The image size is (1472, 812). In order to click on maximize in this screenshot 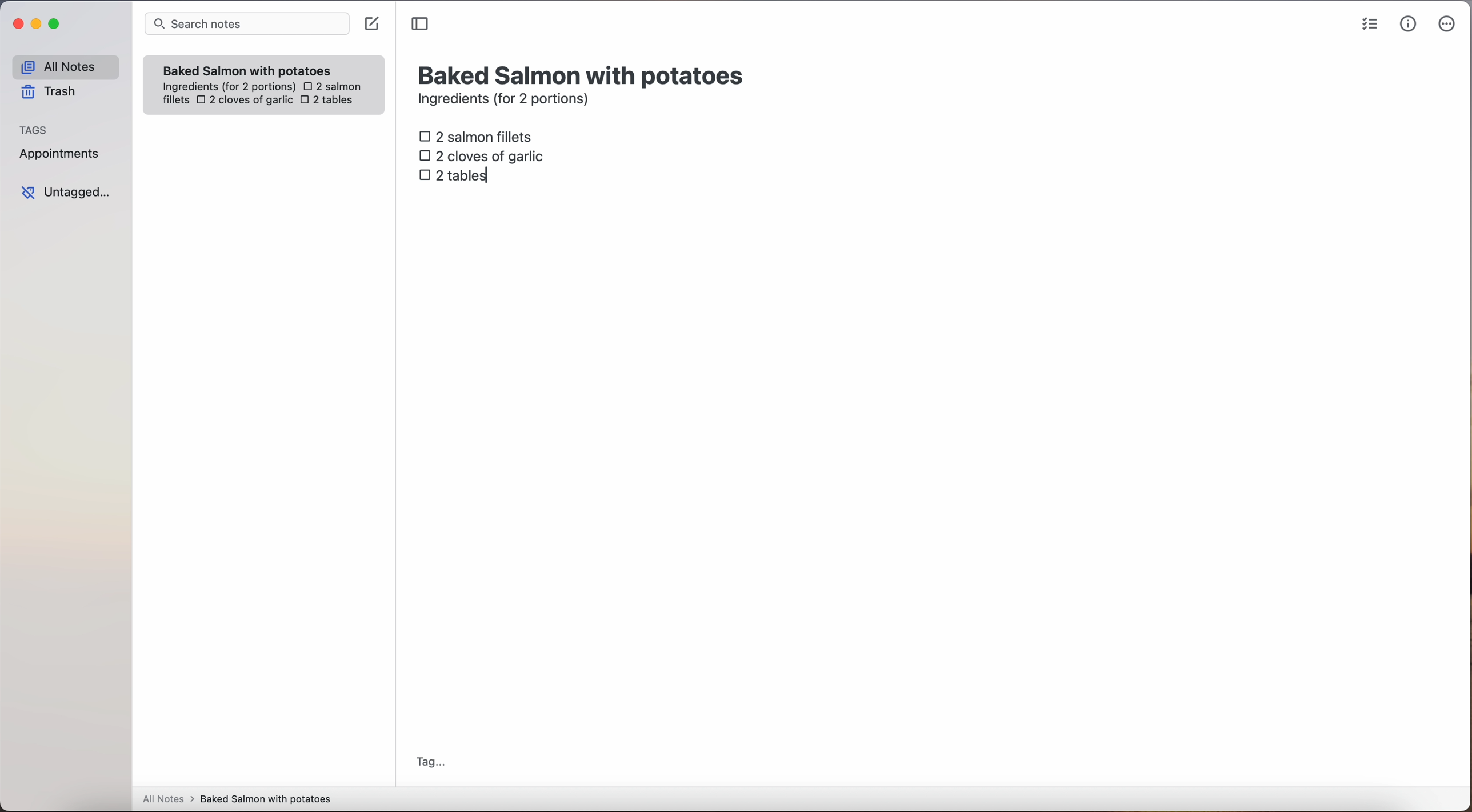, I will do `click(56, 23)`.